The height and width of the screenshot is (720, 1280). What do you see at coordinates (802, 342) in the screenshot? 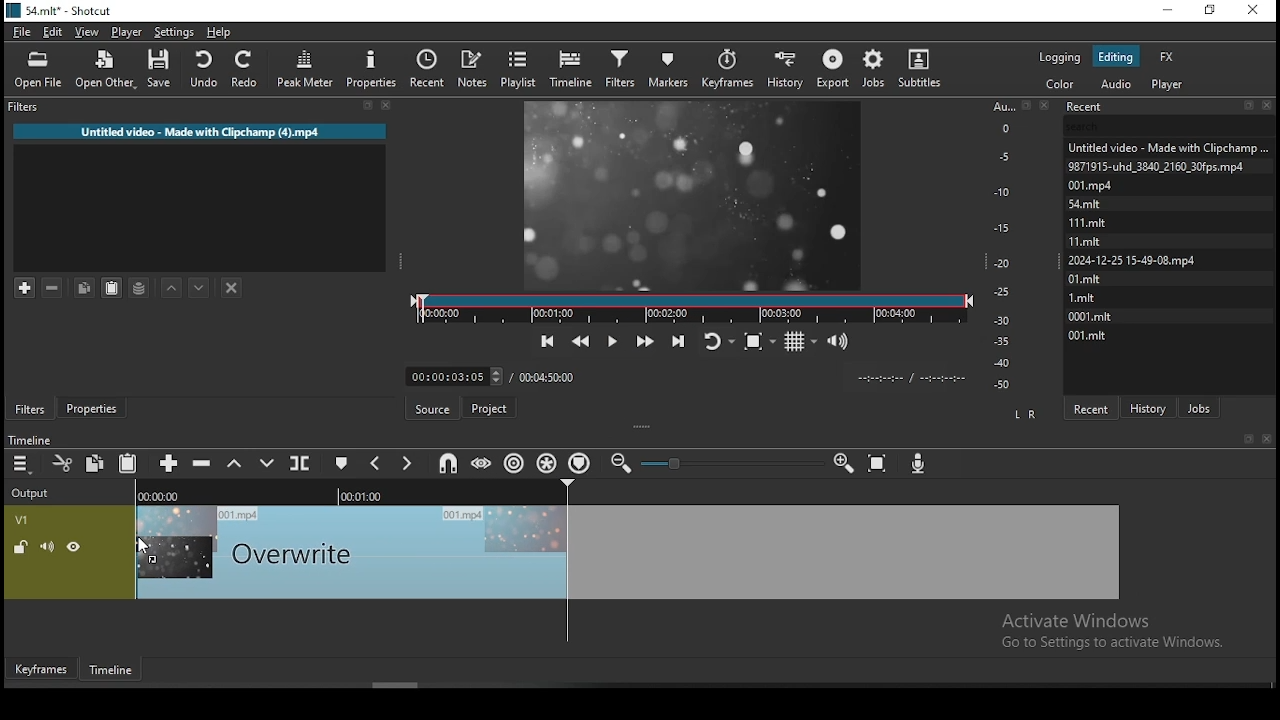
I see `toggle grid display on the player` at bounding box center [802, 342].